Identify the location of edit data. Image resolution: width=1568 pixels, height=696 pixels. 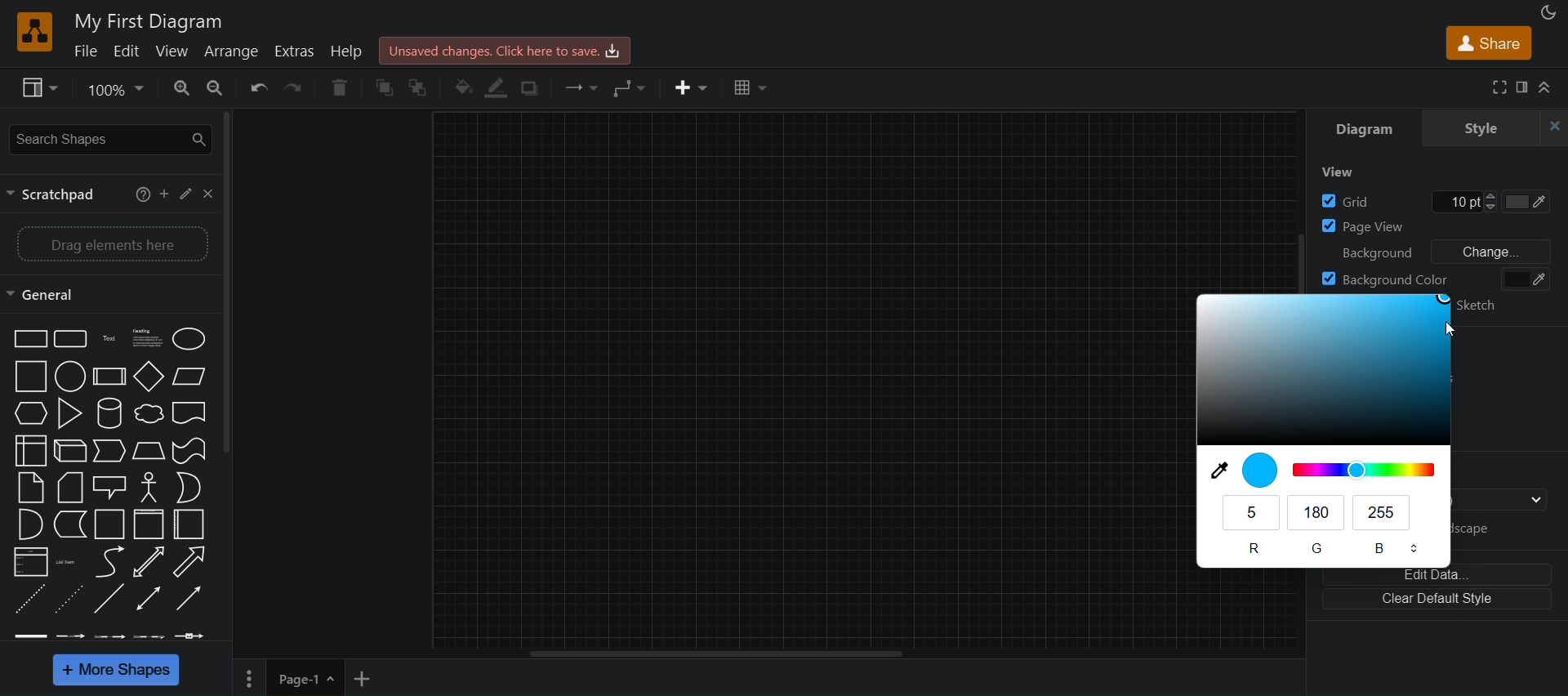
(1443, 578).